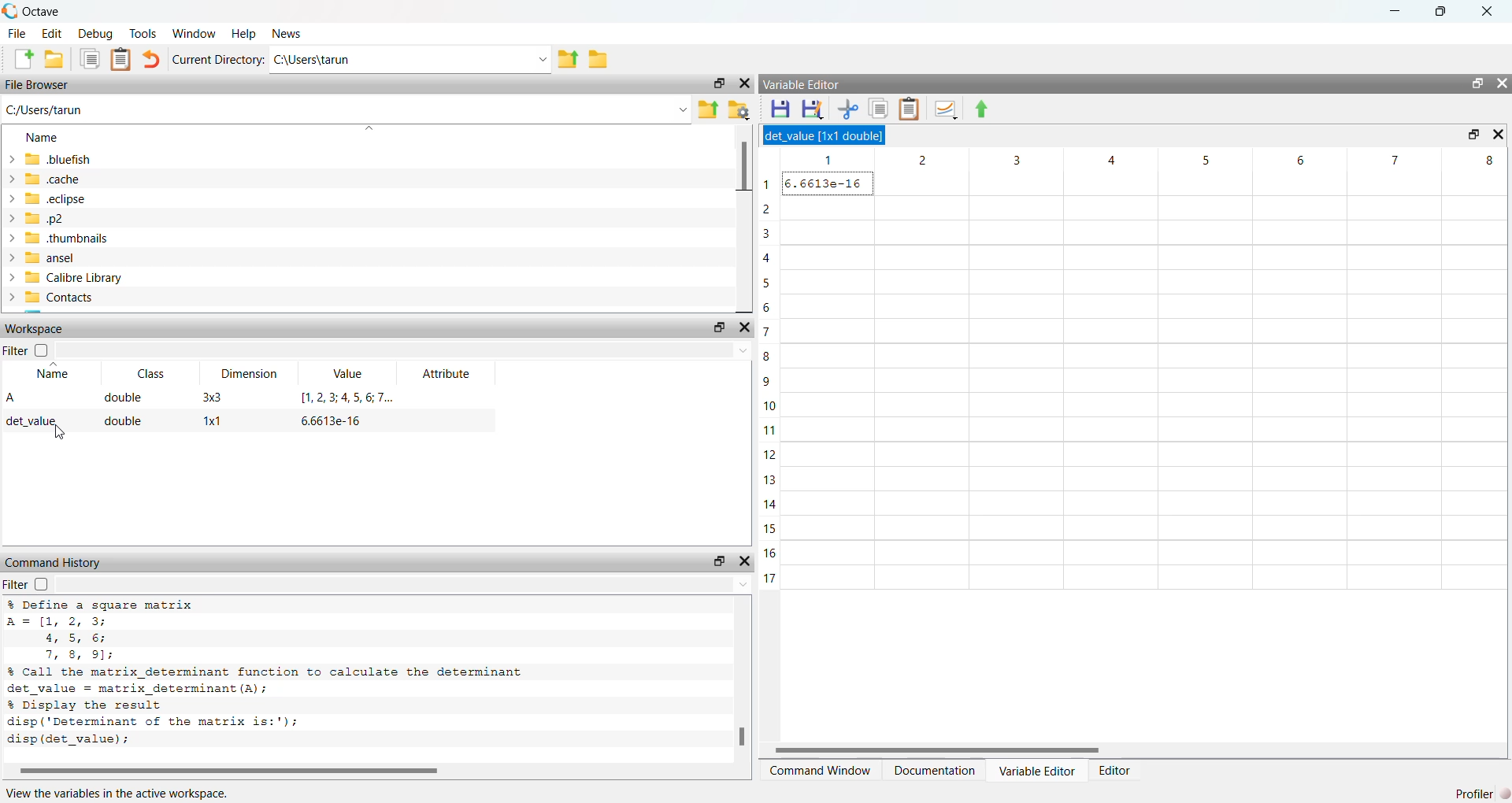 This screenshot has height=803, width=1512. What do you see at coordinates (35, 421) in the screenshot?
I see `det_value` at bounding box center [35, 421].